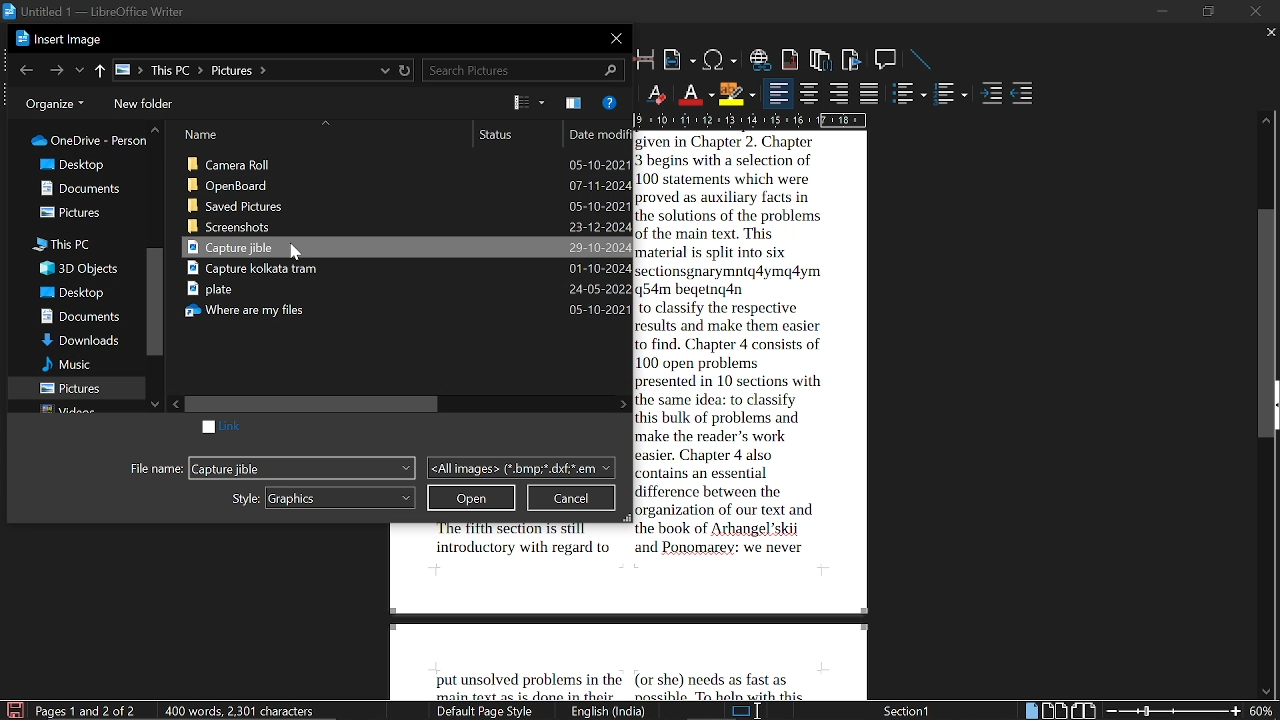 This screenshot has width=1280, height=720. What do you see at coordinates (78, 269) in the screenshot?
I see `3d objects` at bounding box center [78, 269].